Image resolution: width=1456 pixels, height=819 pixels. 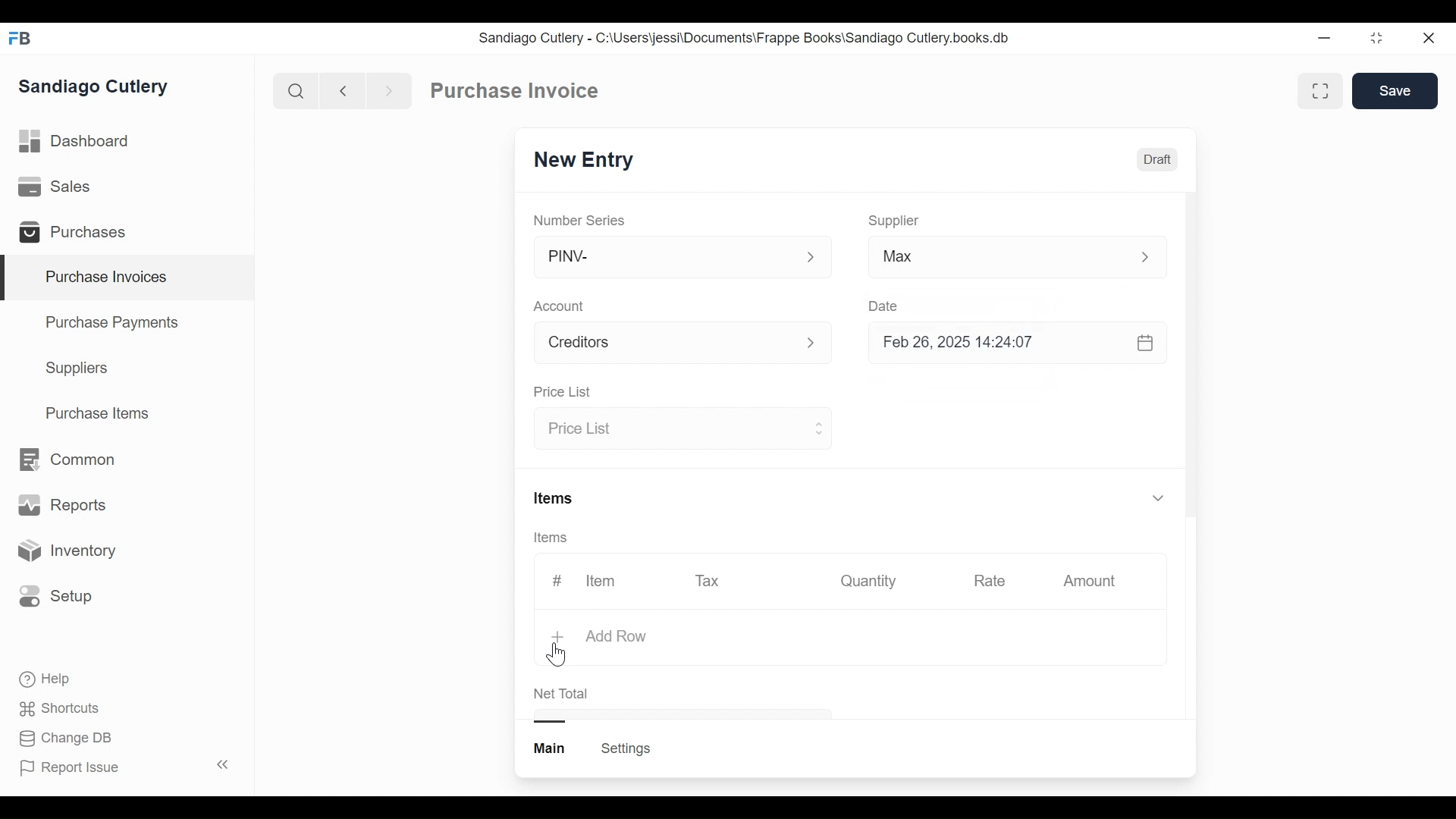 I want to click on Amount, so click(x=1093, y=582).